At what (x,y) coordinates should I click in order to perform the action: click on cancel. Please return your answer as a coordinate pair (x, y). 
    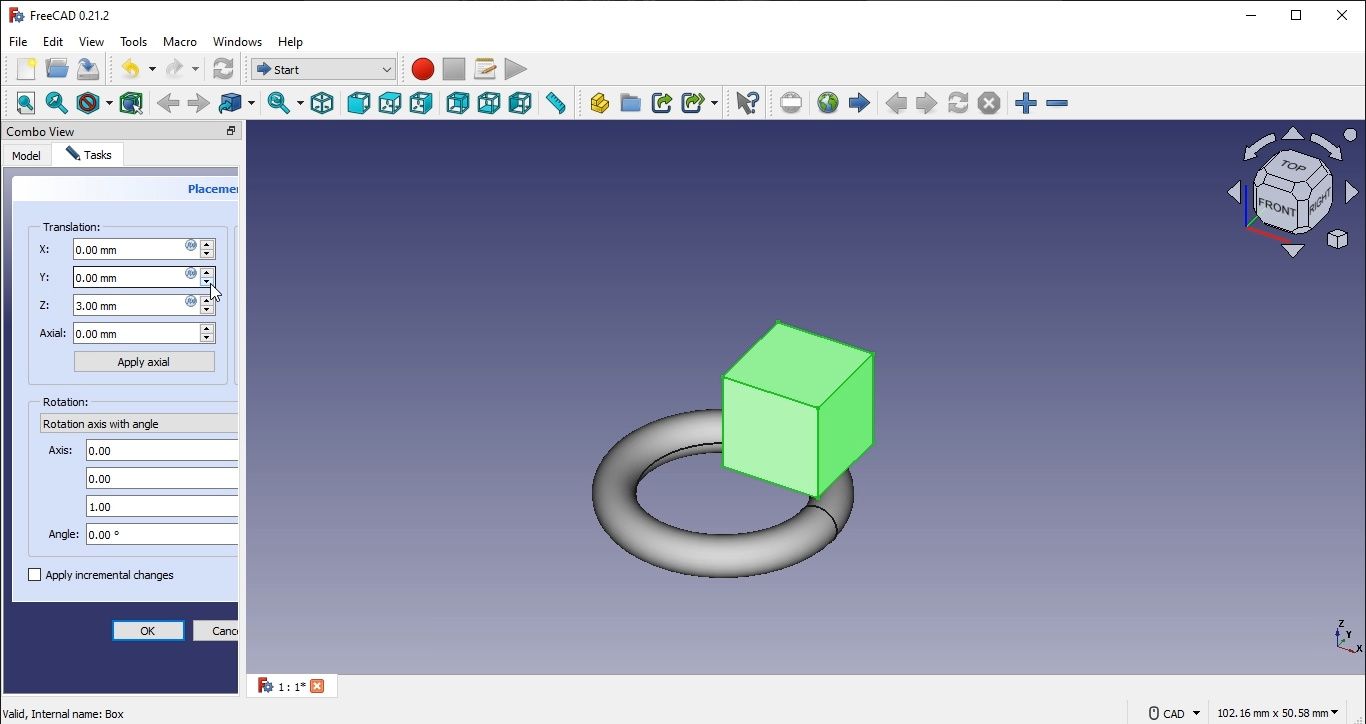
    Looking at the image, I should click on (217, 632).